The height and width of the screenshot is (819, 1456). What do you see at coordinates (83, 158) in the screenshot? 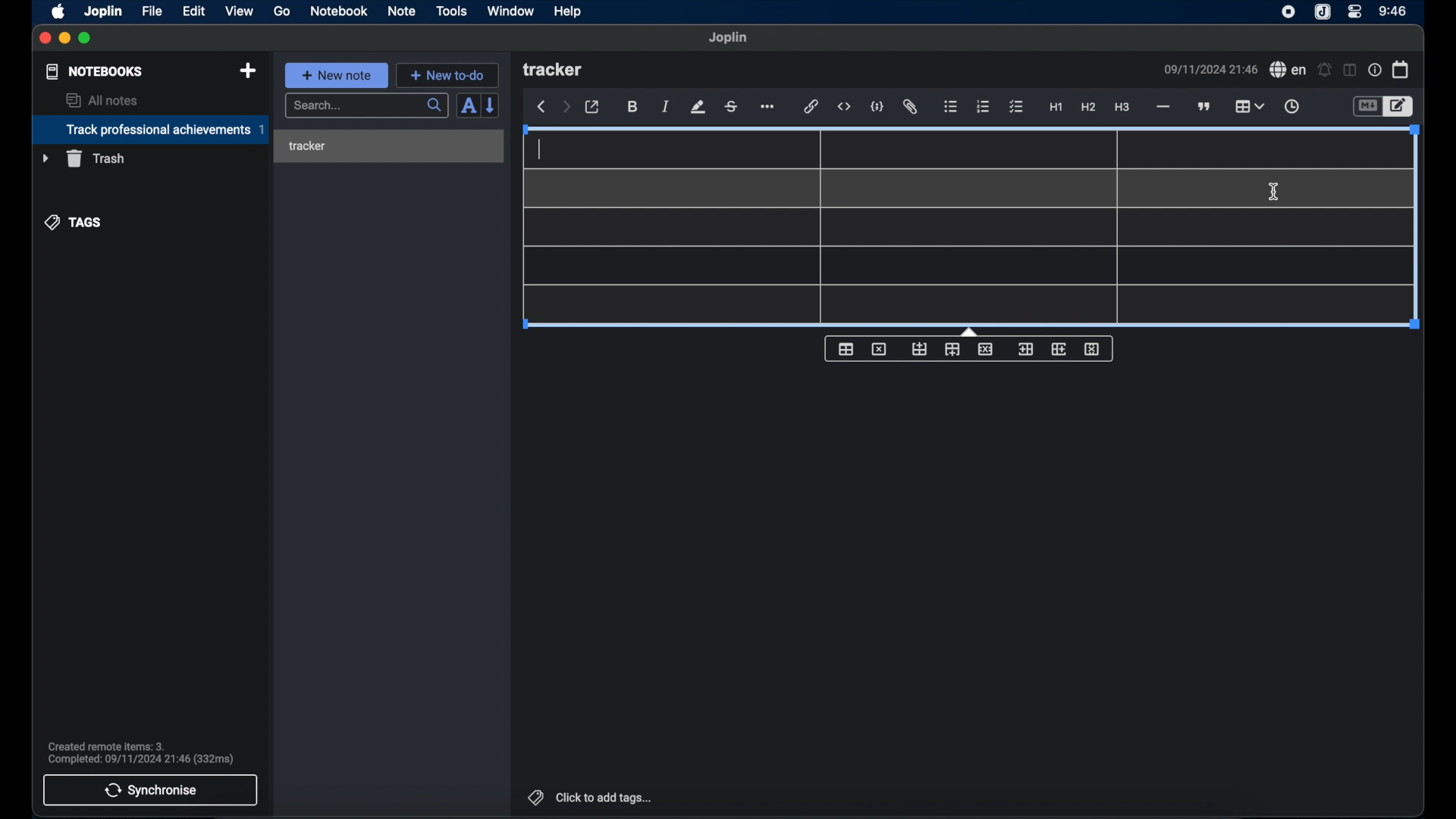
I see `trash` at bounding box center [83, 158].